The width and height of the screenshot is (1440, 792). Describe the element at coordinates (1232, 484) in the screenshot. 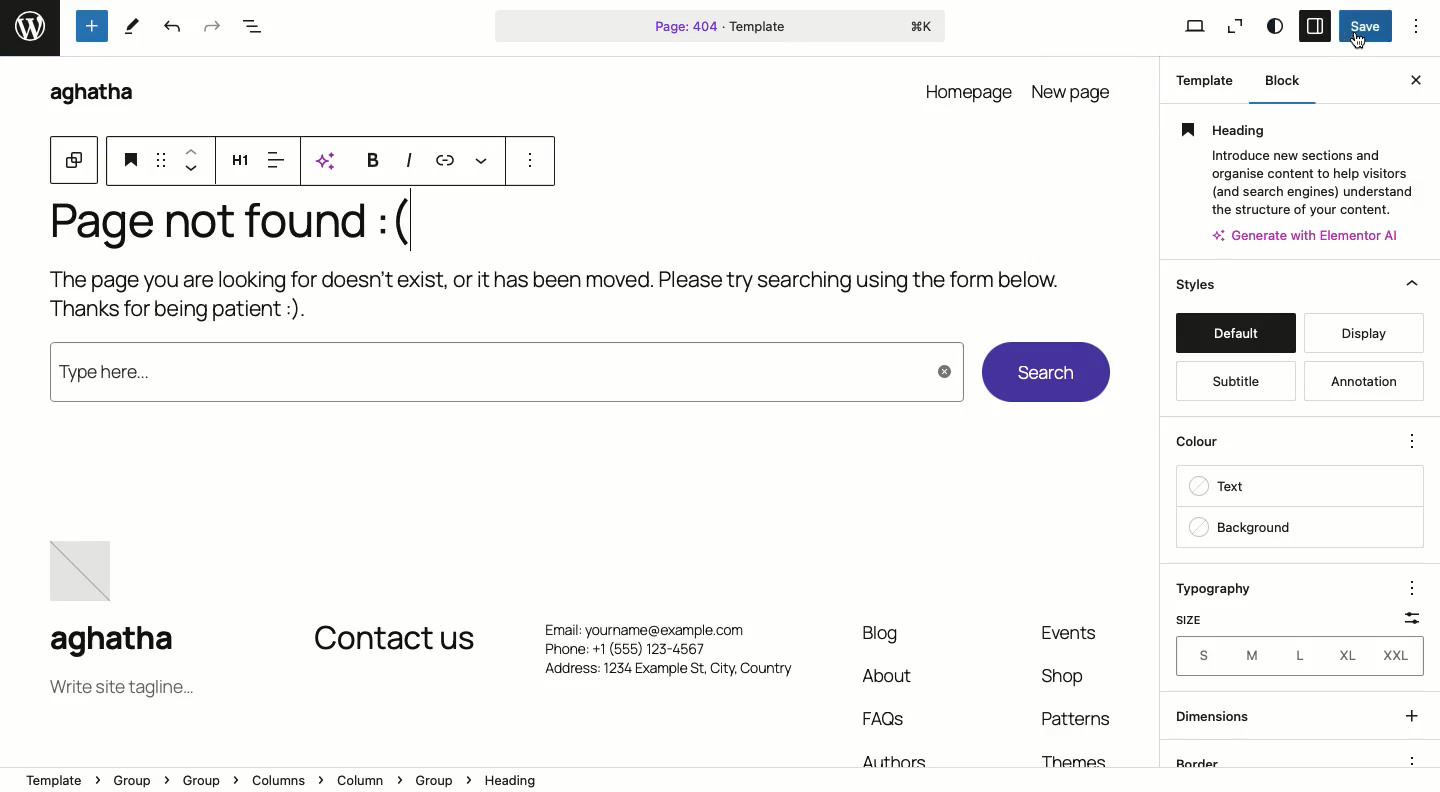

I see `text` at that location.